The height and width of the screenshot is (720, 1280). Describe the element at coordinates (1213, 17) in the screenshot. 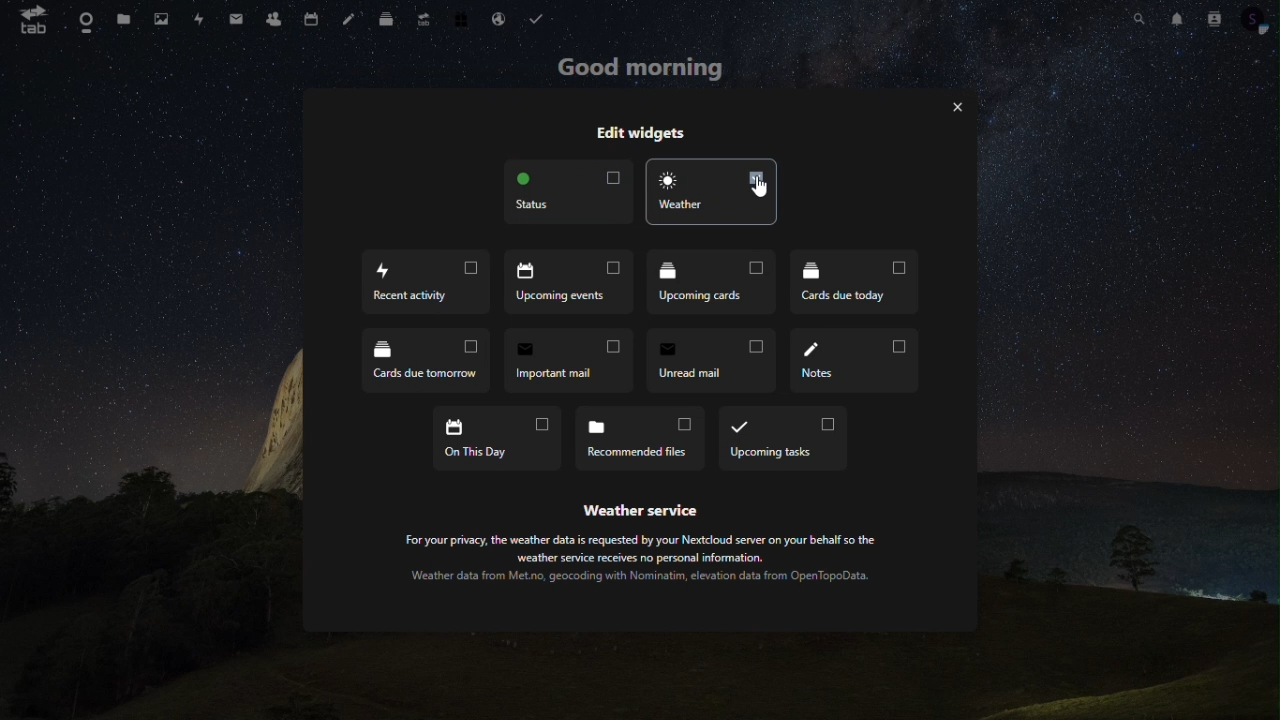

I see `contacts` at that location.